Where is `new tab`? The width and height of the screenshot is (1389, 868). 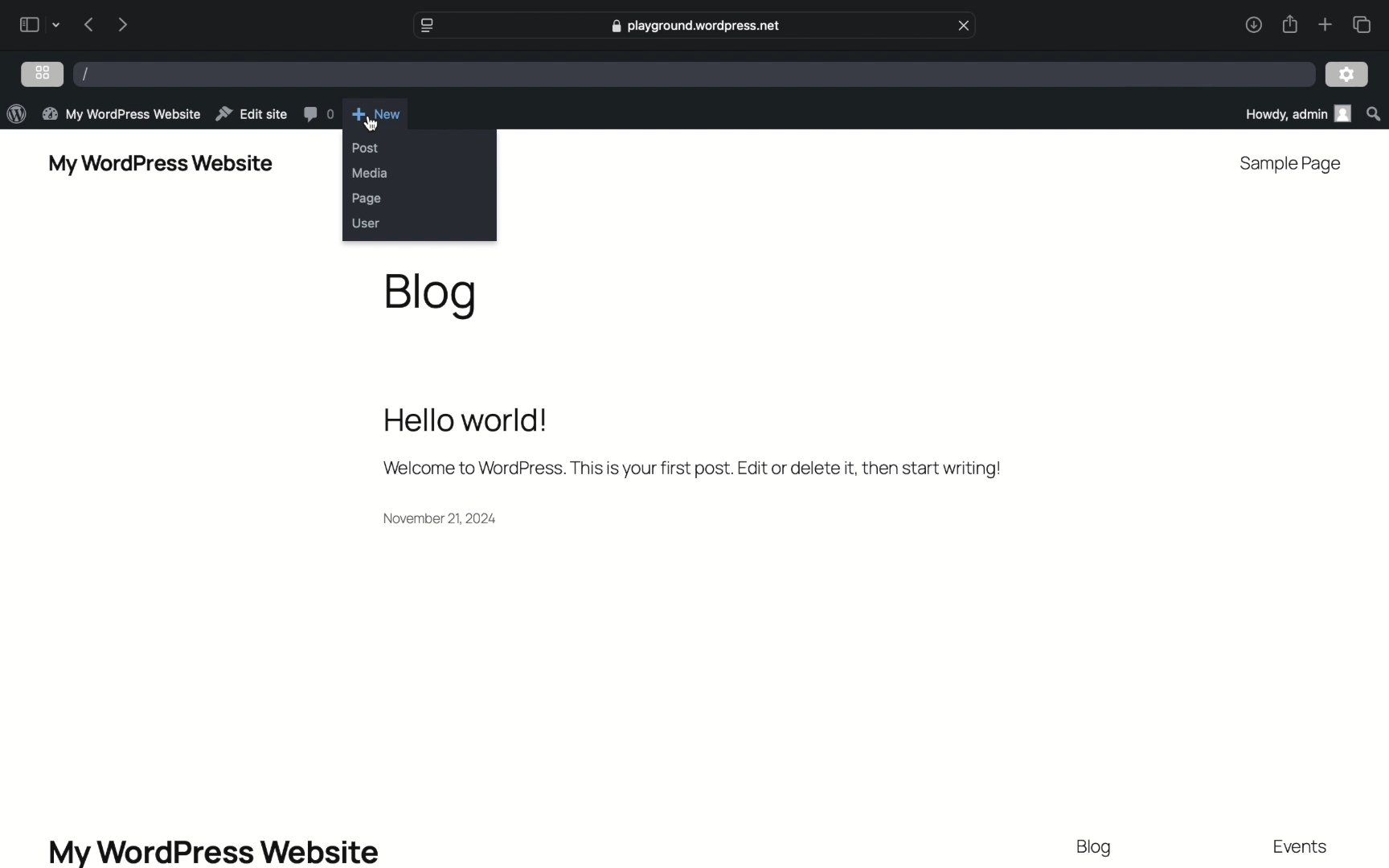 new tab is located at coordinates (1324, 25).